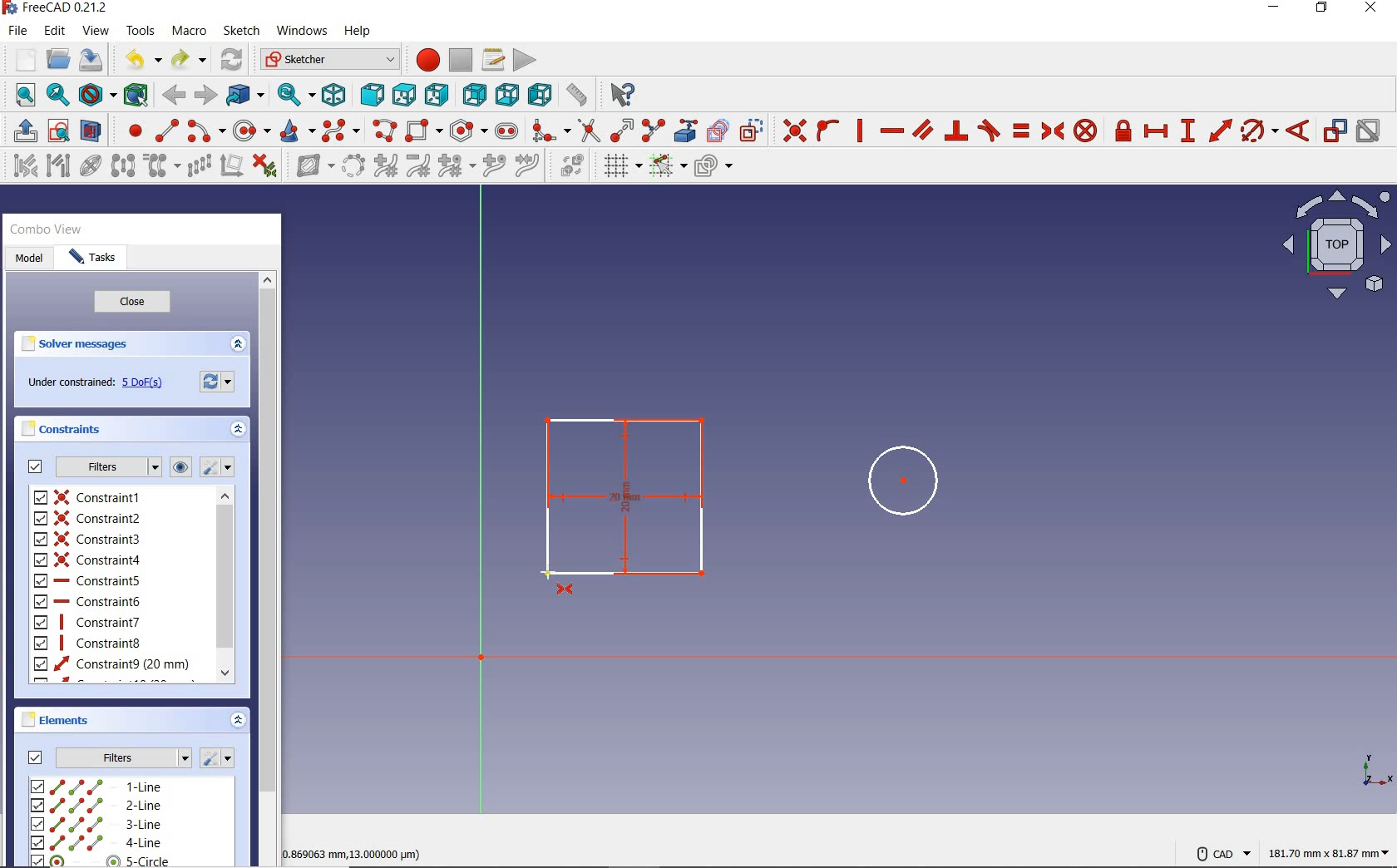 Image resolution: width=1397 pixels, height=868 pixels. Describe the element at coordinates (90, 643) in the screenshot. I see `constraint8` at that location.